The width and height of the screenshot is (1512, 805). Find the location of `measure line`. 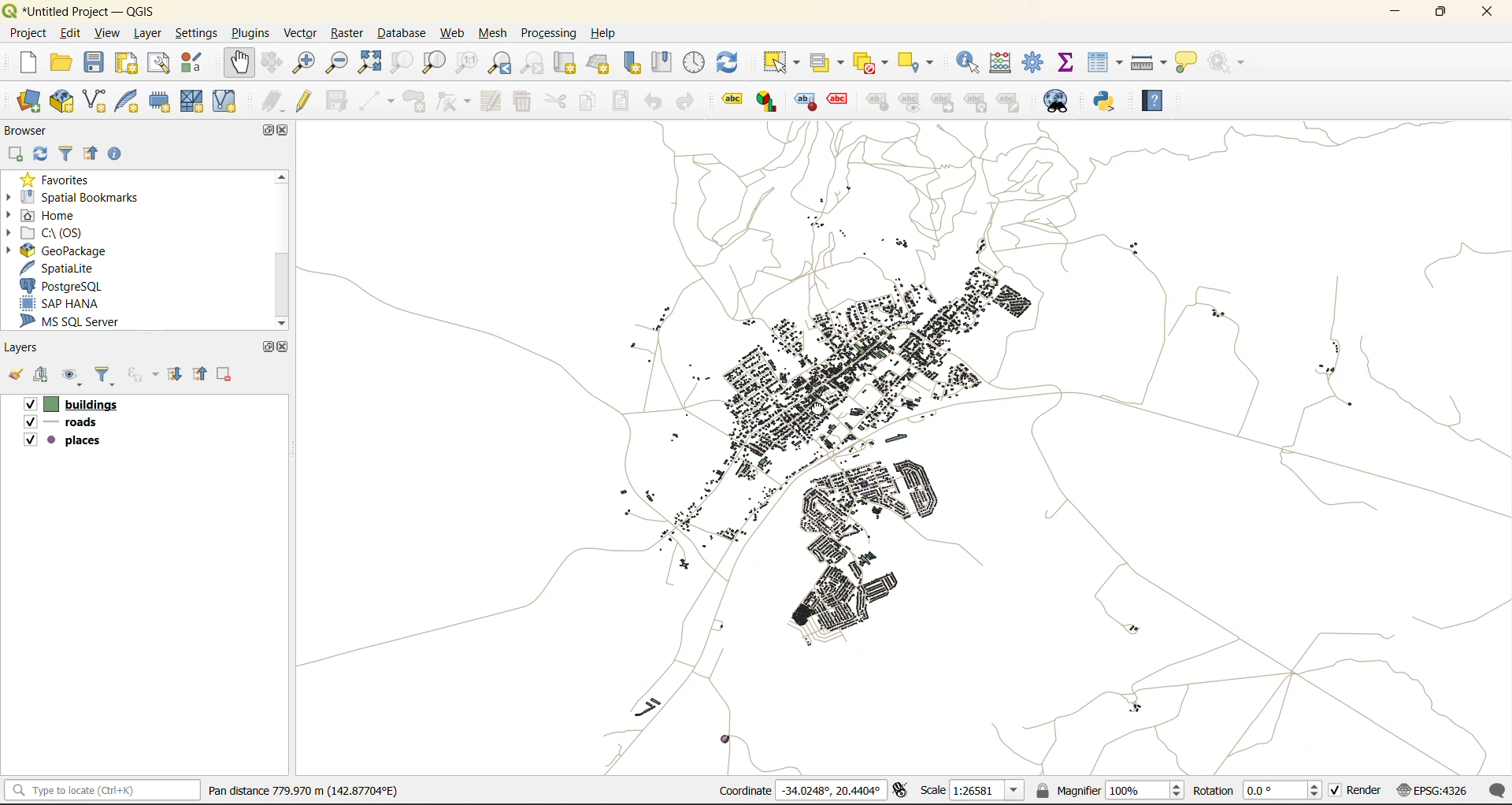

measure line is located at coordinates (1151, 63).